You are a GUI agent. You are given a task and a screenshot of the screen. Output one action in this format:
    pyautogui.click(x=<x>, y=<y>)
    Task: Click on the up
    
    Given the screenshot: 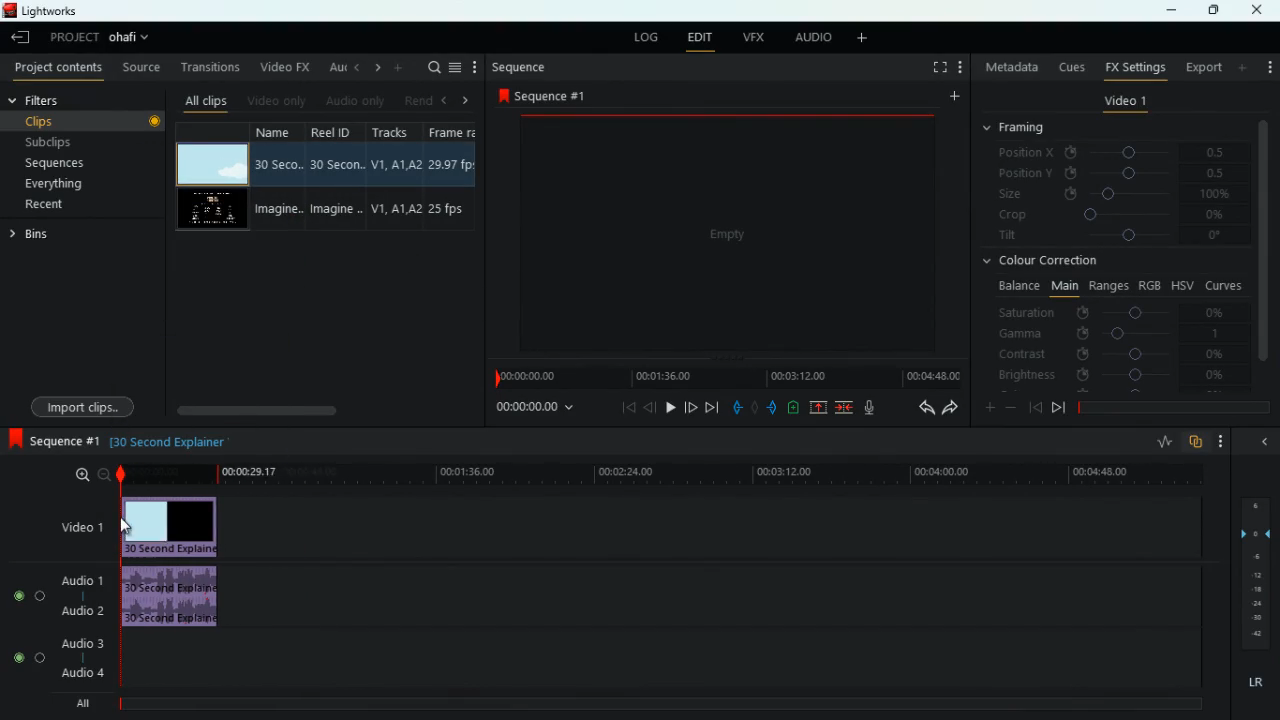 What is the action you would take?
    pyautogui.click(x=818, y=408)
    